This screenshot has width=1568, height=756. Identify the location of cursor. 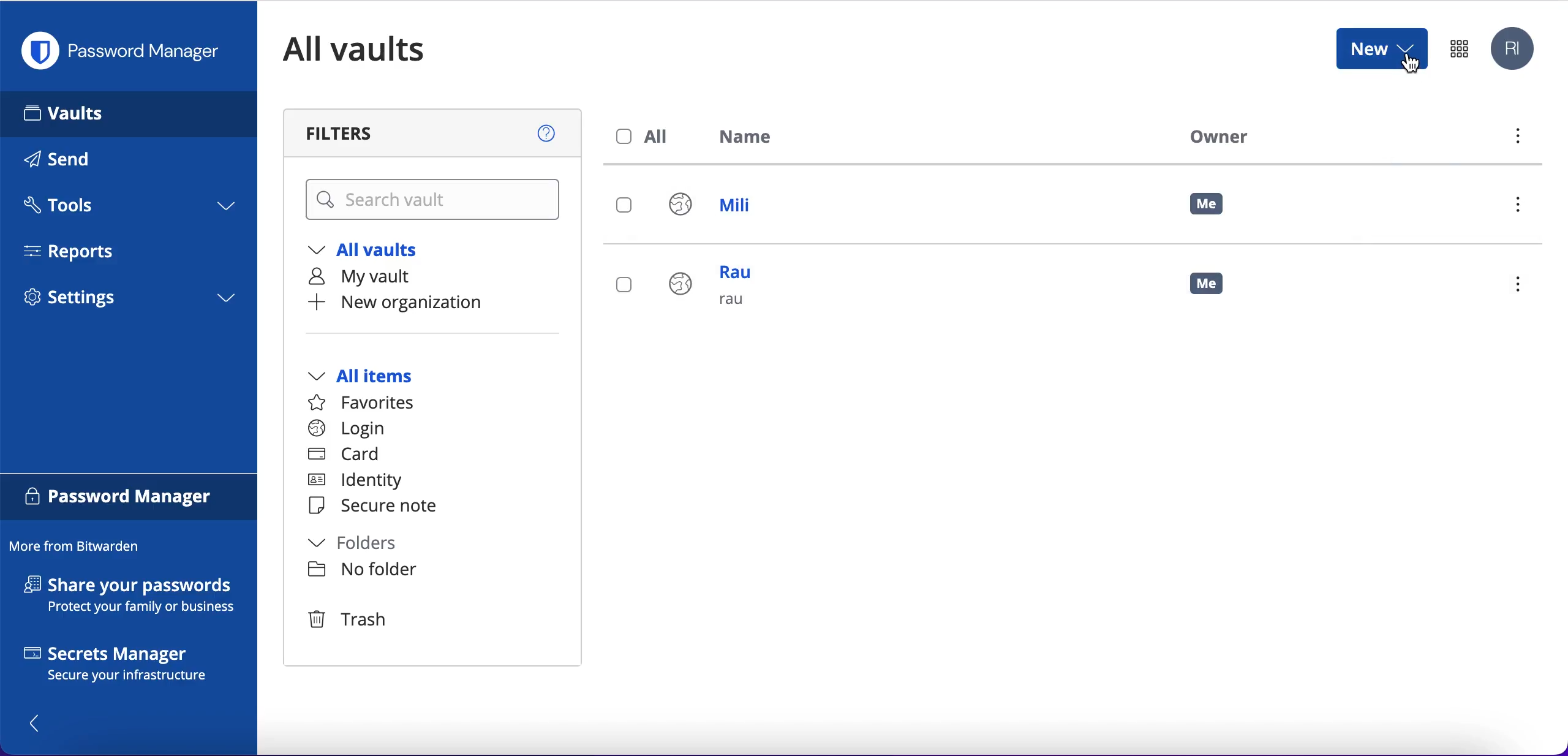
(1412, 66).